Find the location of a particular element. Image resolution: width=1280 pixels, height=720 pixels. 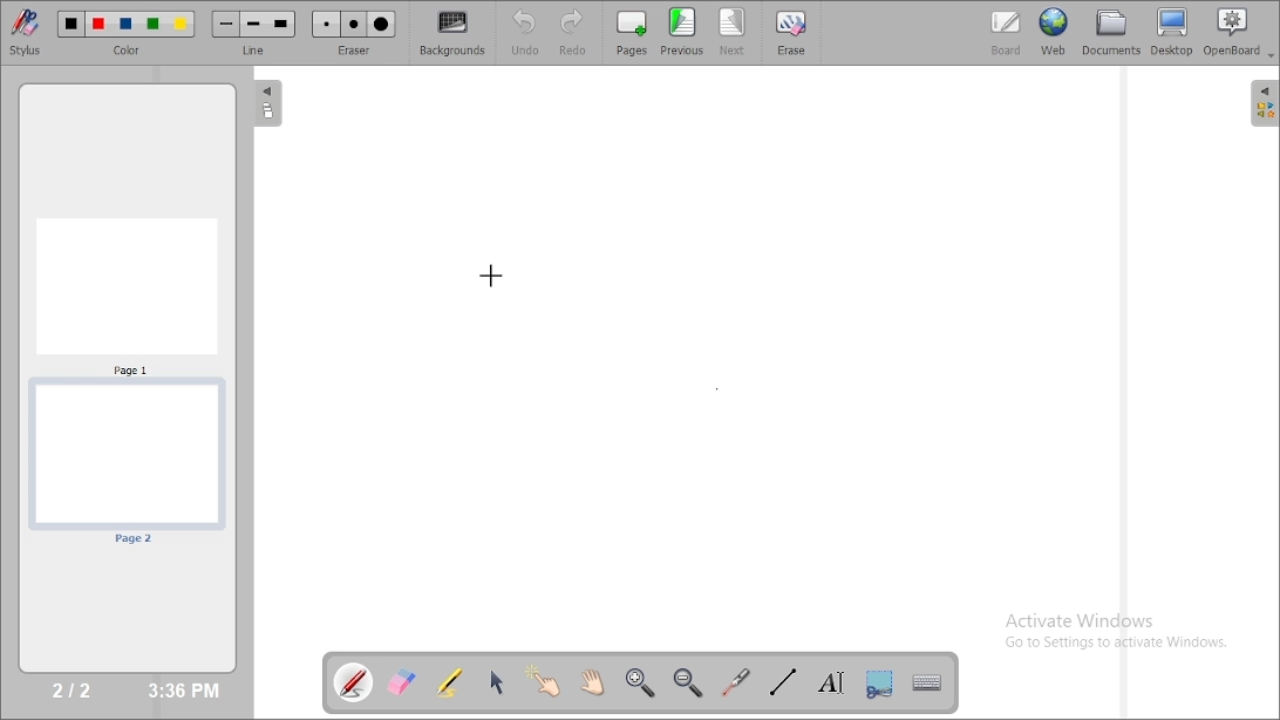

backgrounds is located at coordinates (454, 33).